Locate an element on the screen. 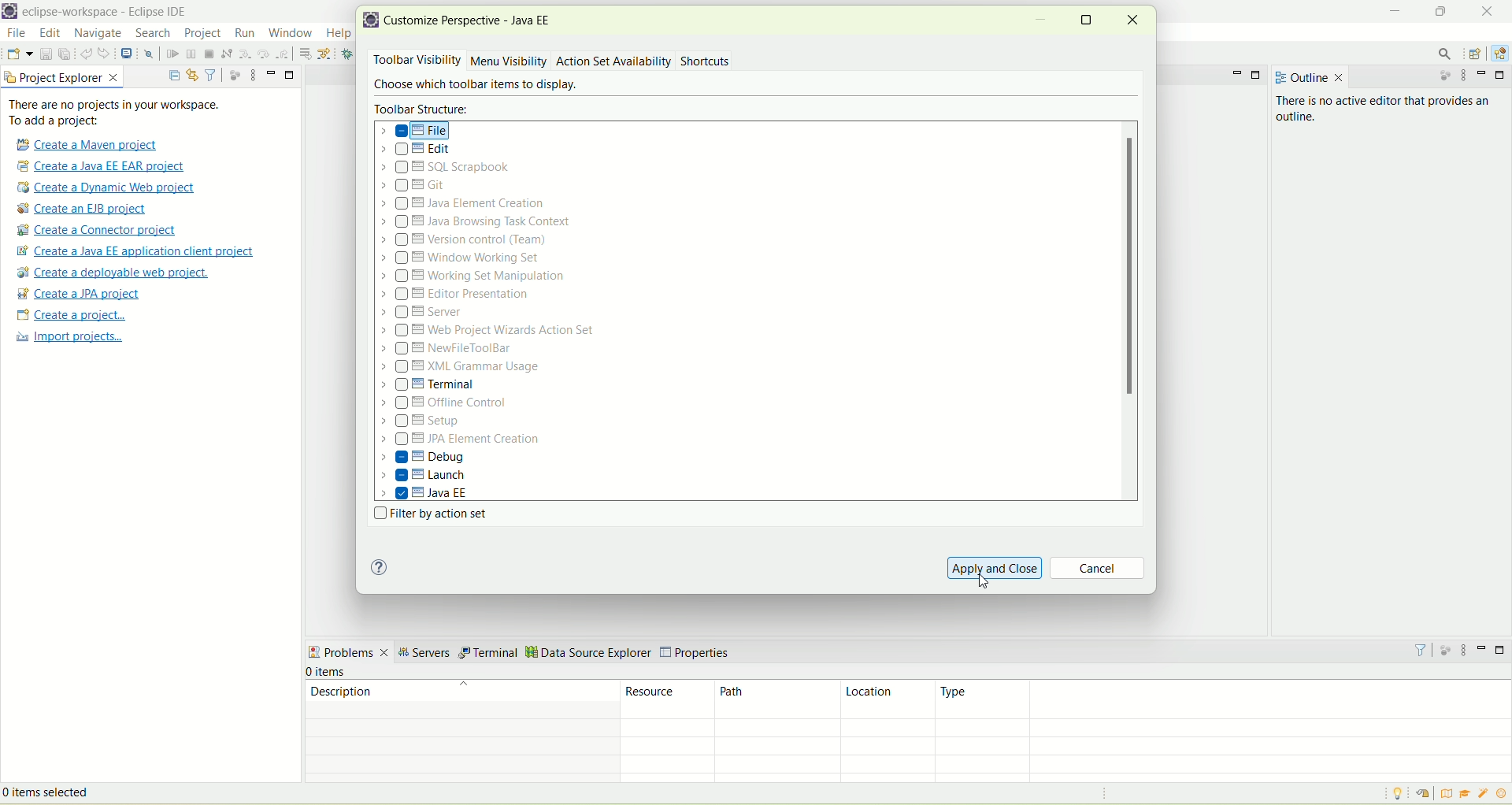 This screenshot has width=1512, height=805. create a project is located at coordinates (69, 315).